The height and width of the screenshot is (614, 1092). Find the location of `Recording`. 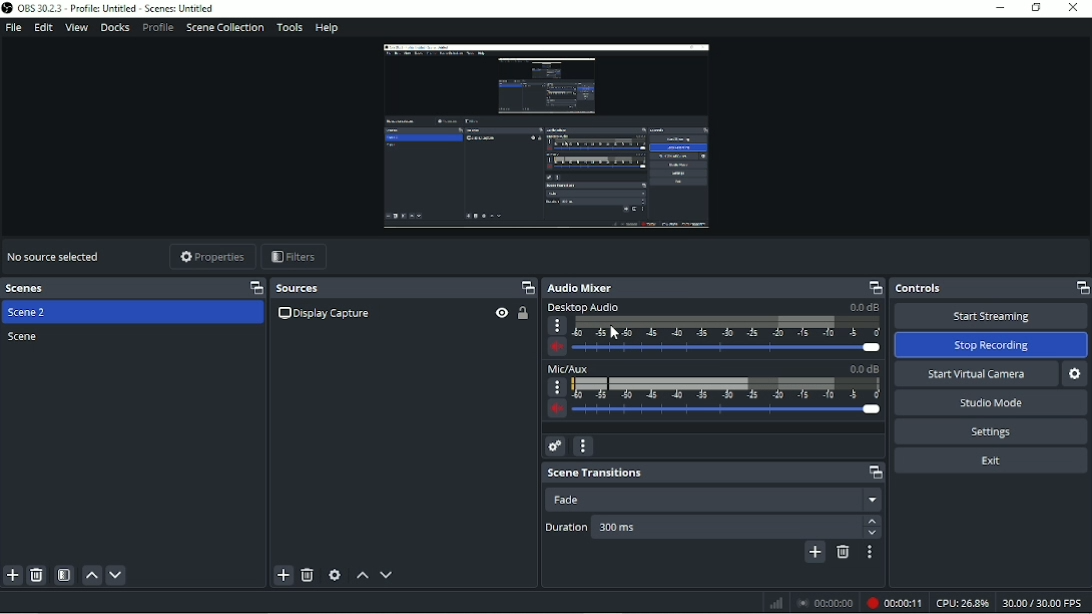

Recording is located at coordinates (893, 603).